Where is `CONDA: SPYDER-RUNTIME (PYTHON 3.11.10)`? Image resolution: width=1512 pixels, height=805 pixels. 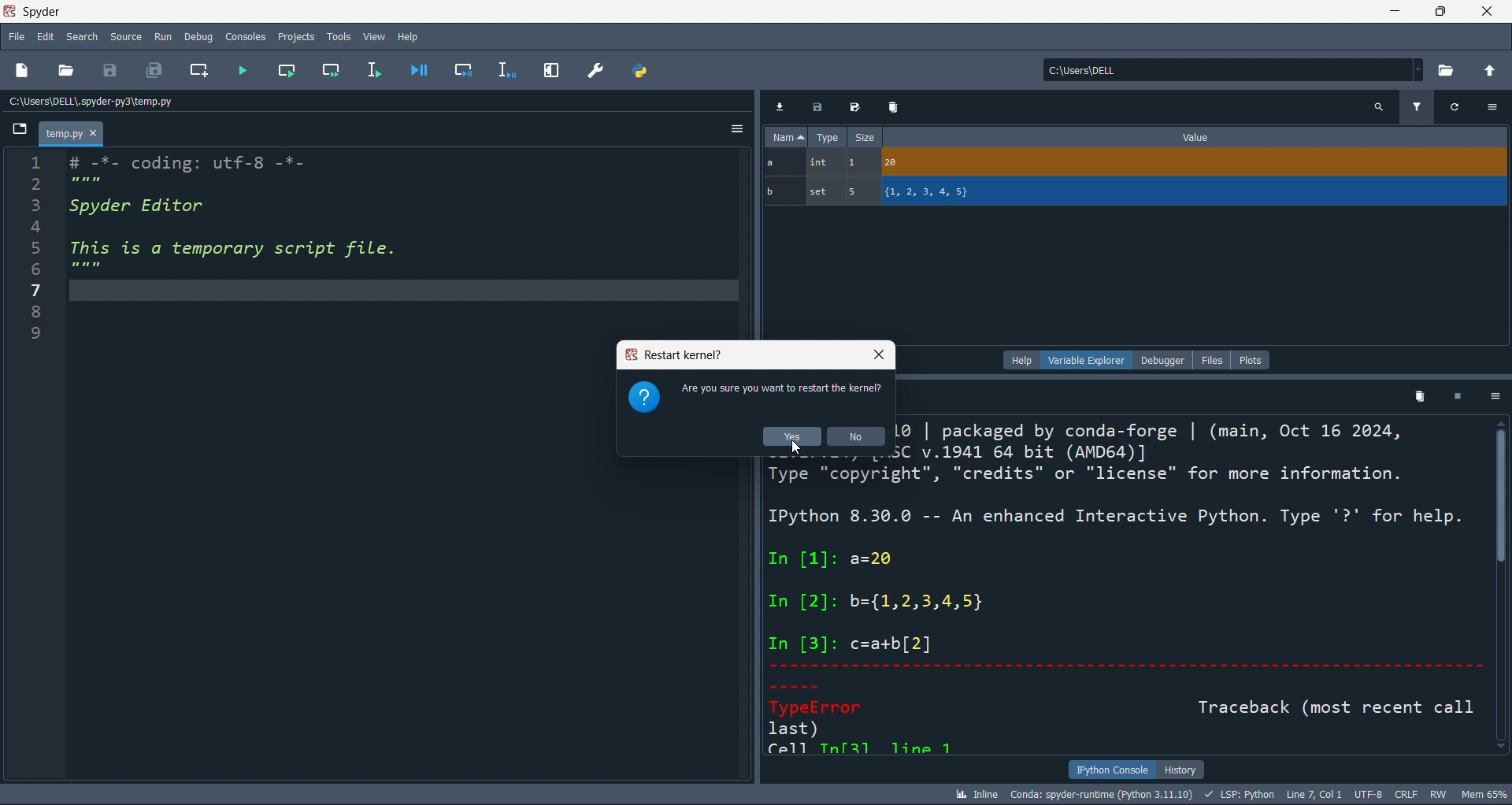
CONDA: SPYDER-RUNTIME (PYTHON 3.11.10) is located at coordinates (1101, 793).